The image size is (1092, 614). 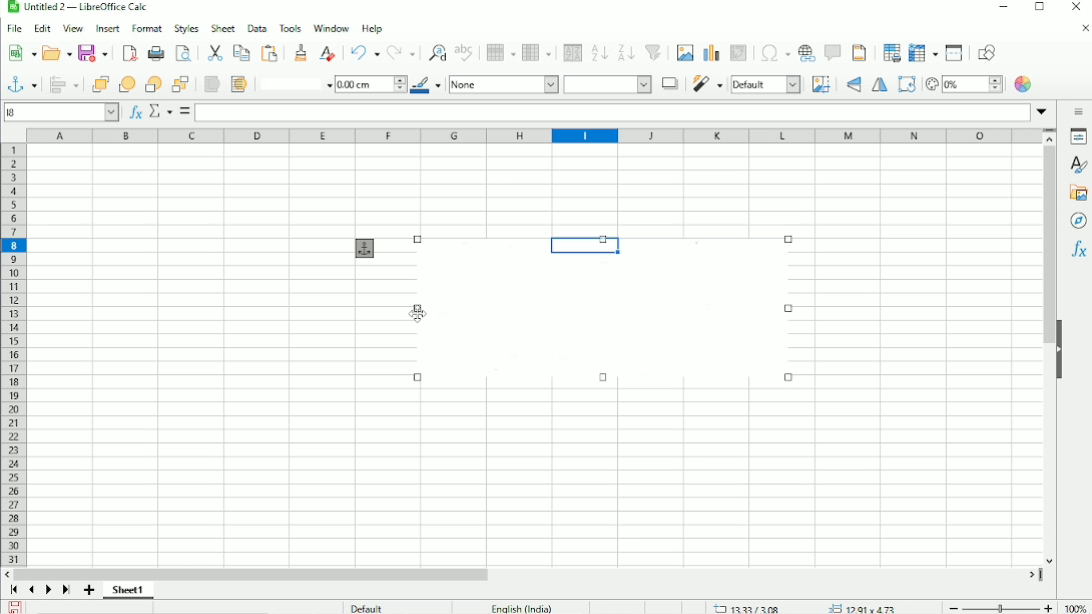 What do you see at coordinates (888, 53) in the screenshot?
I see `Define print area` at bounding box center [888, 53].